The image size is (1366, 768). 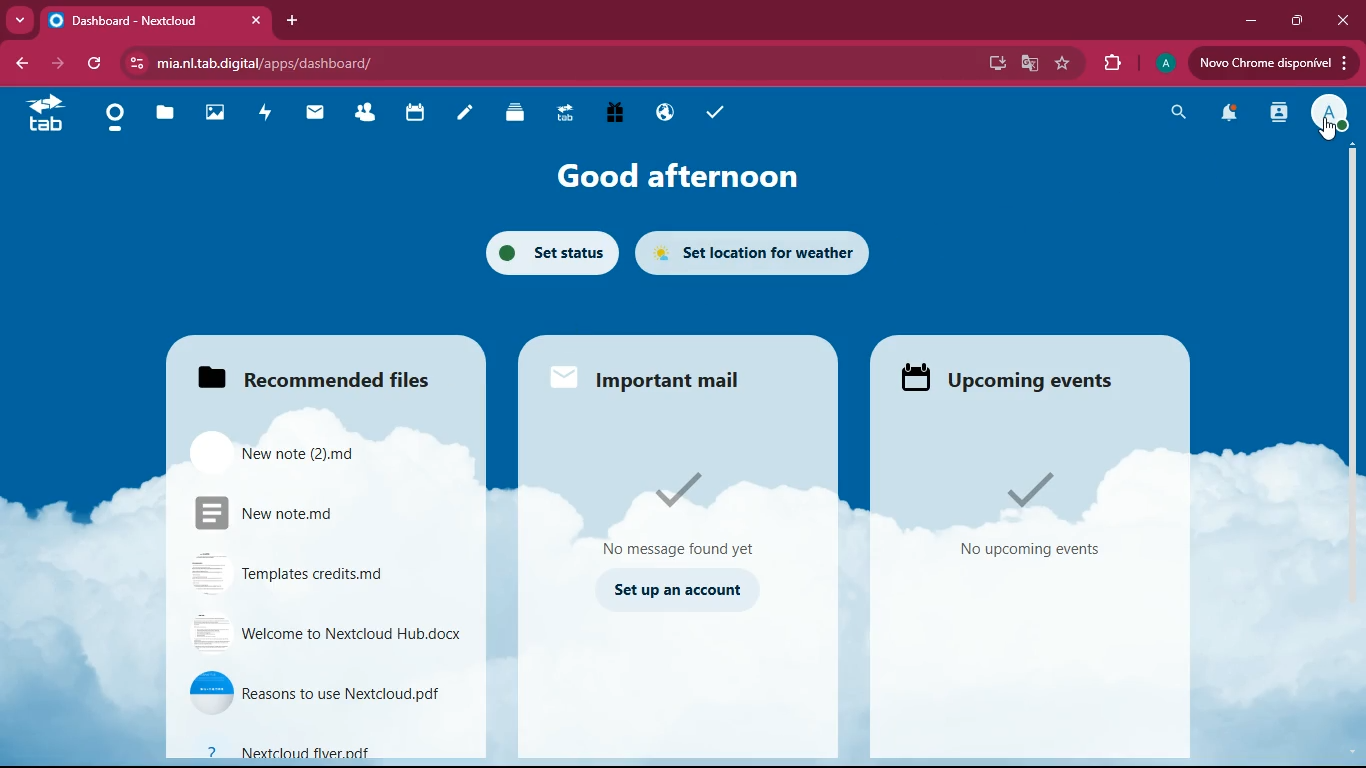 I want to click on close, so click(x=1343, y=19).